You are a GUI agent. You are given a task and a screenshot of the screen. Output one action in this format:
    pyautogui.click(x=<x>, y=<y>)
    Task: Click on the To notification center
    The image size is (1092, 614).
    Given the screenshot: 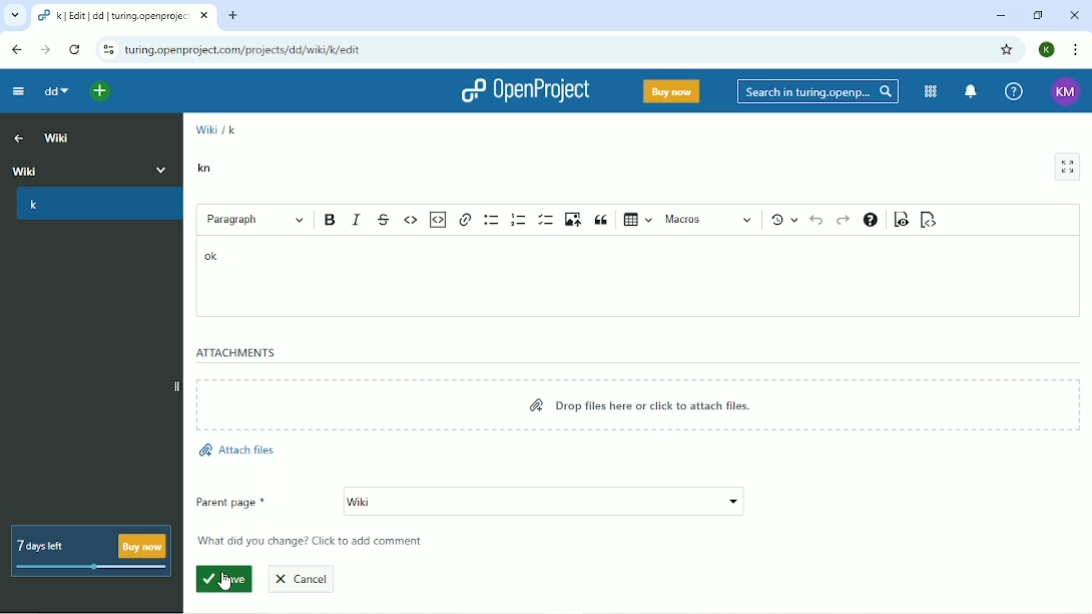 What is the action you would take?
    pyautogui.click(x=972, y=91)
    